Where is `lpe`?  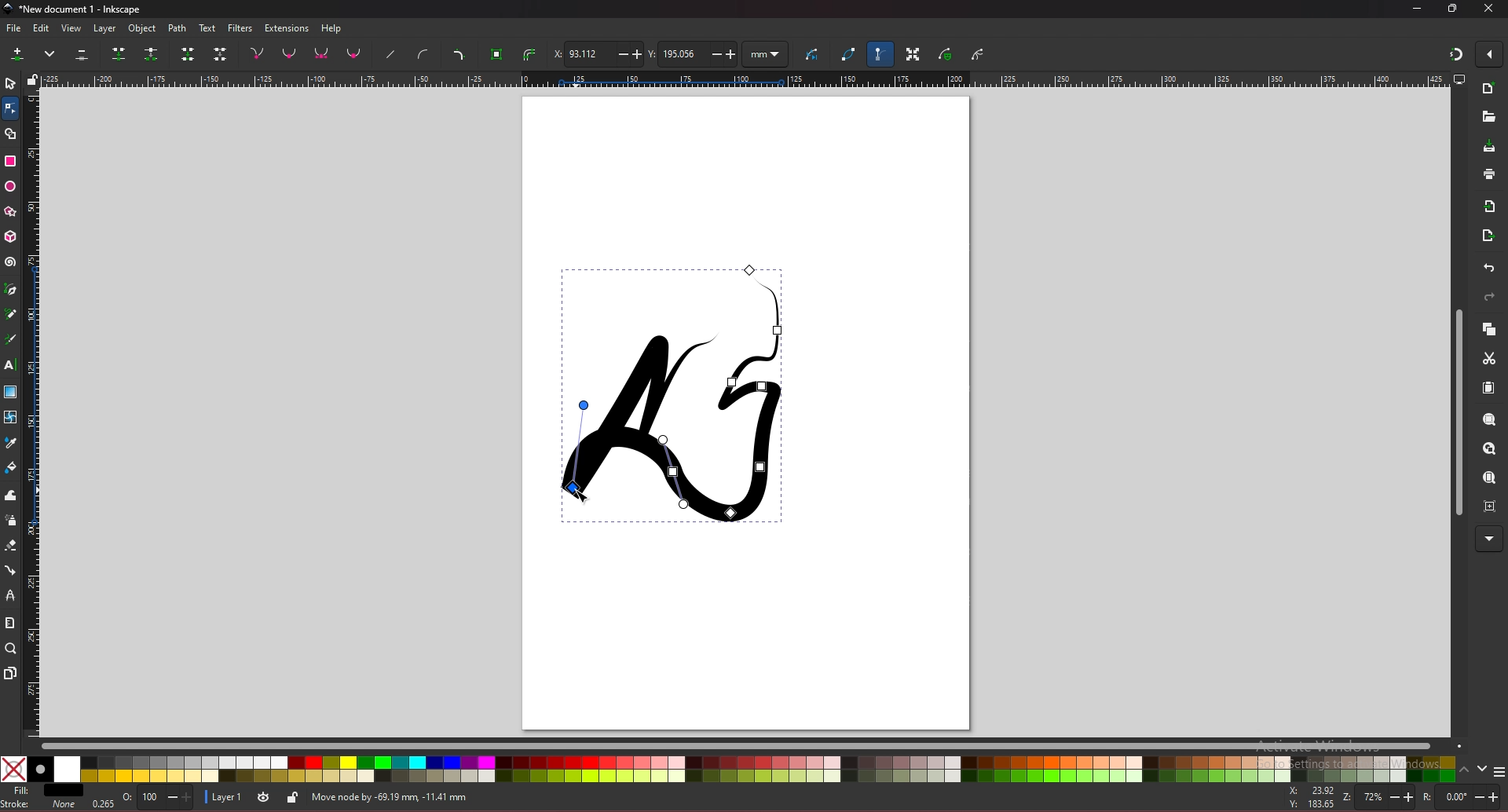
lpe is located at coordinates (12, 596).